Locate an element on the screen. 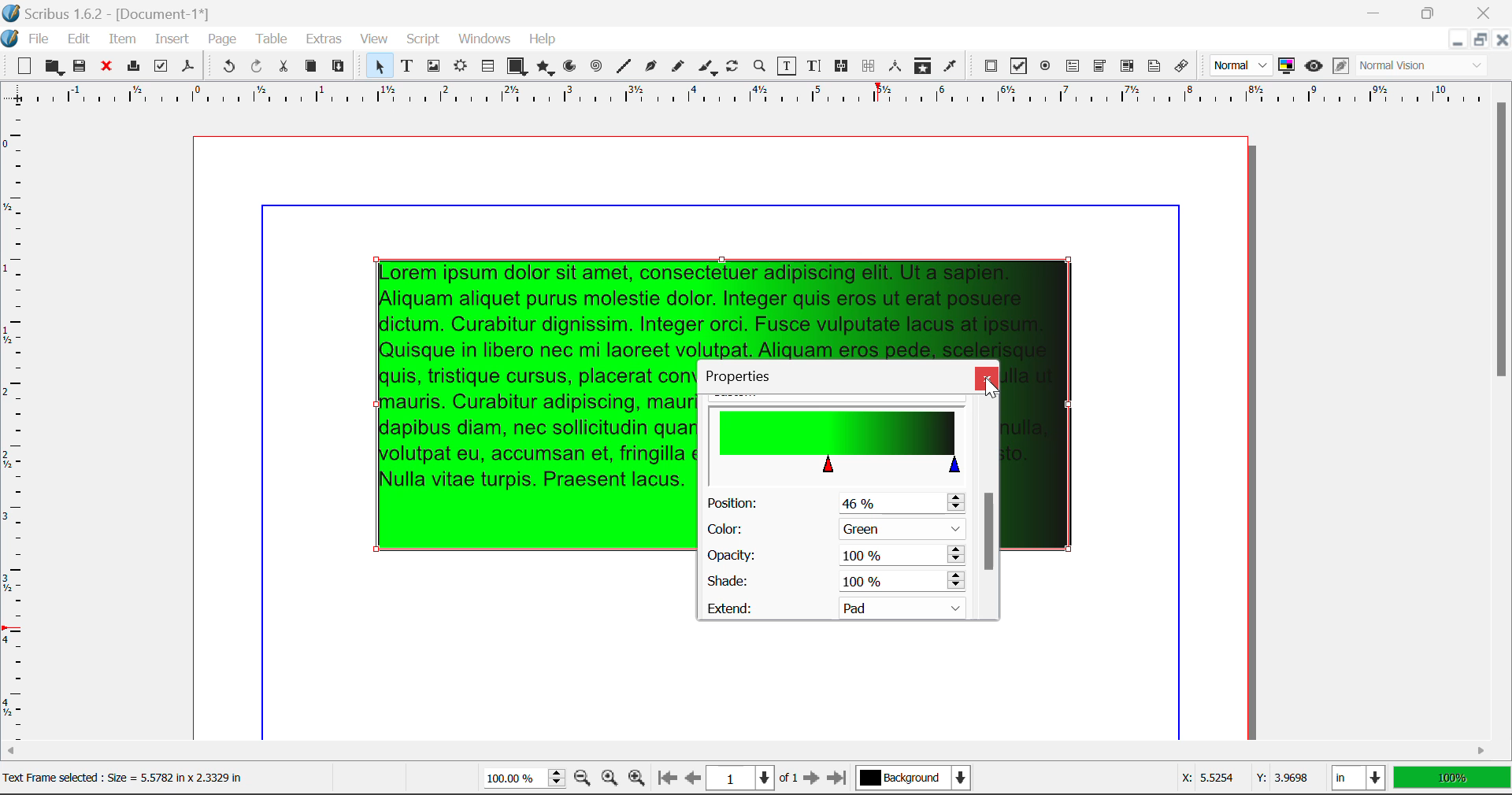  Undo is located at coordinates (228, 68).